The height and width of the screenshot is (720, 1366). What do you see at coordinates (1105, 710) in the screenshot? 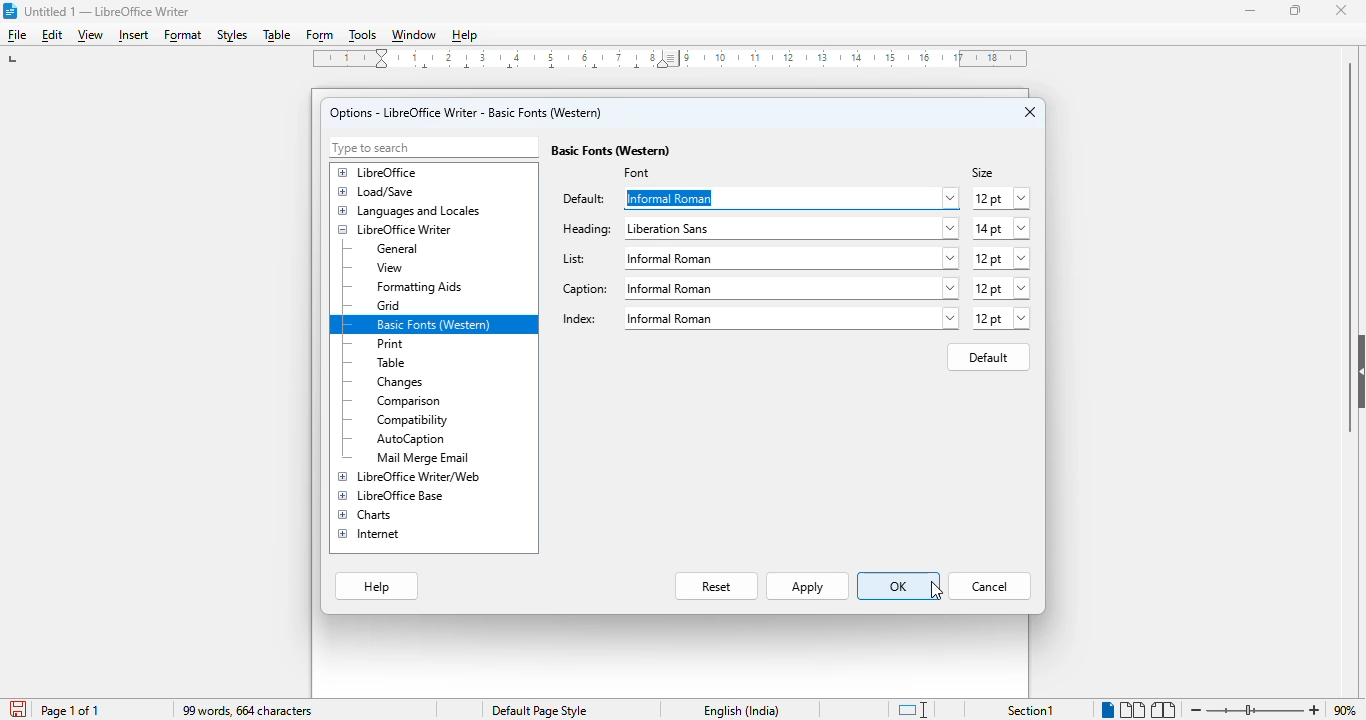
I see `single page view` at bounding box center [1105, 710].